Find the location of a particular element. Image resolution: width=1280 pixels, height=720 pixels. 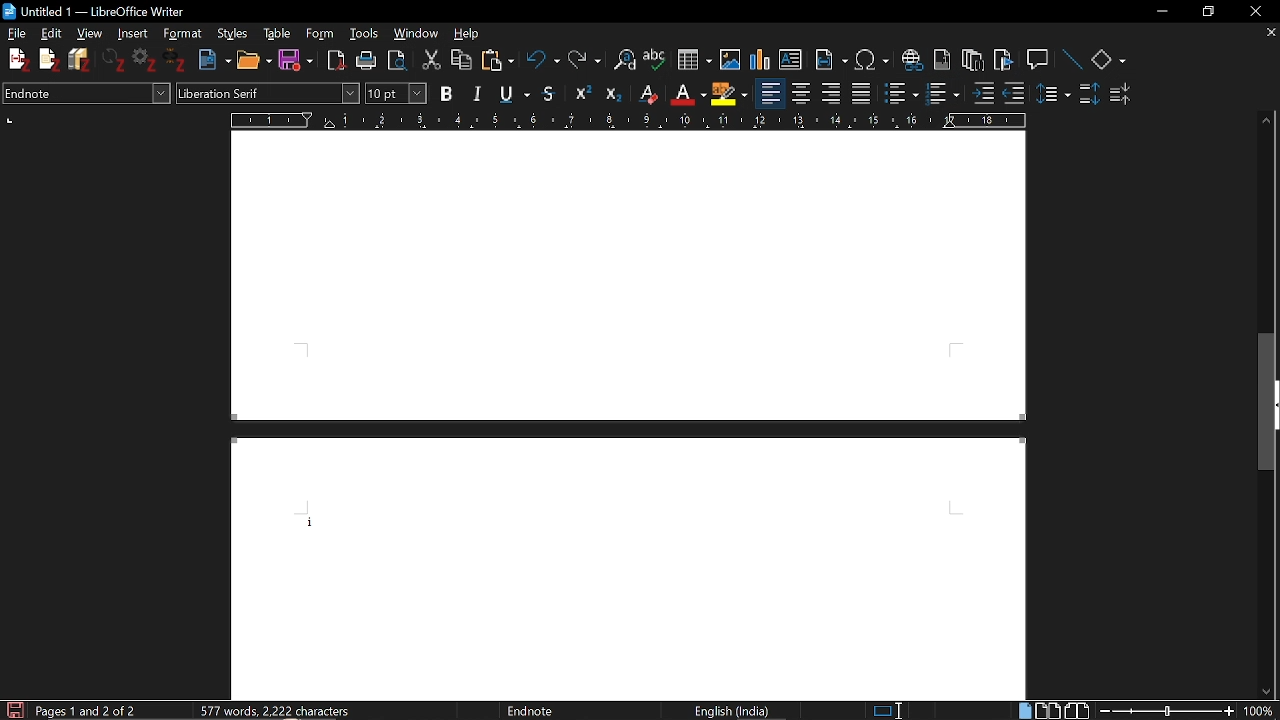

Cut is located at coordinates (430, 61).